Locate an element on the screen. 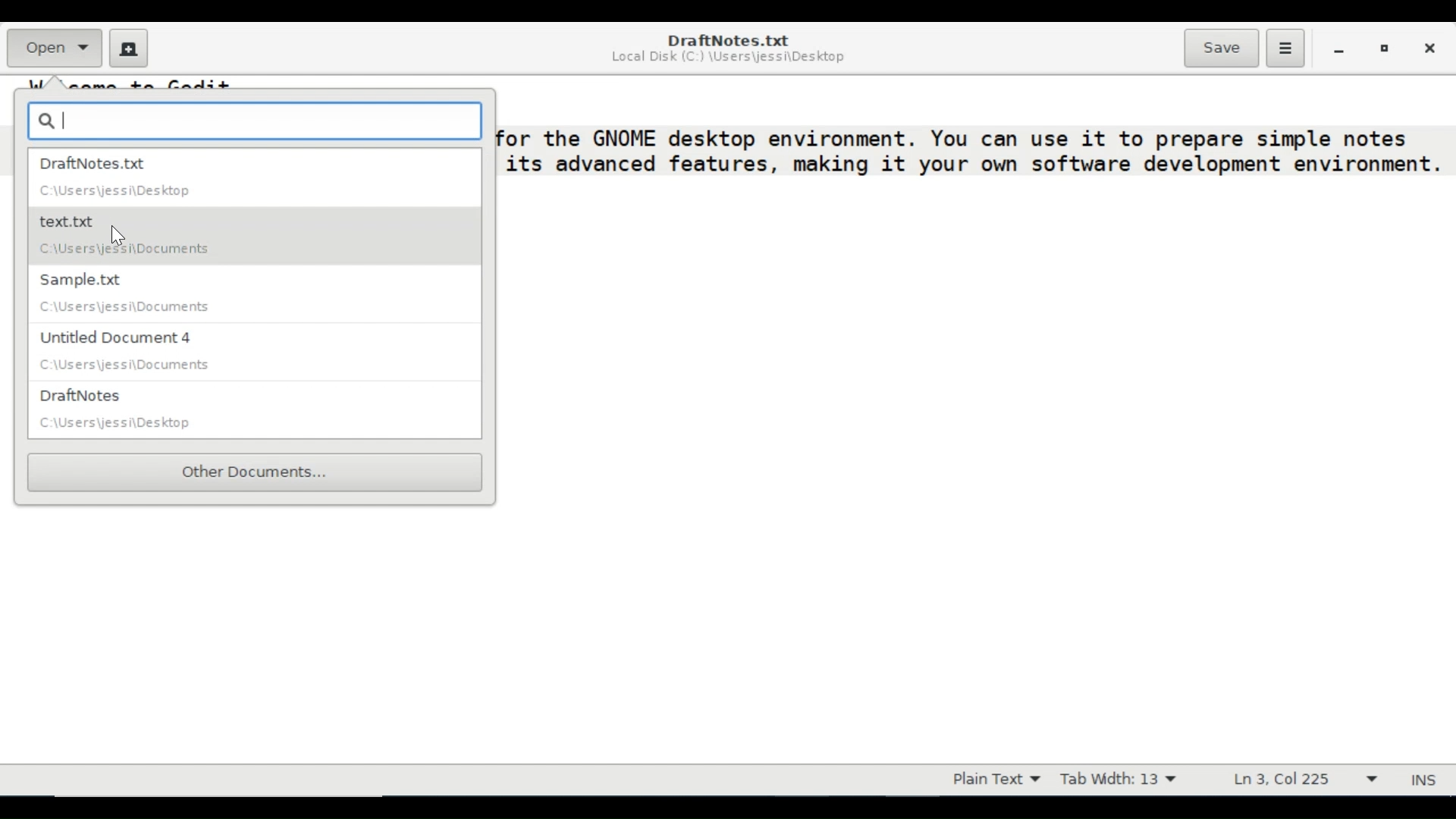 This screenshot has height=819, width=1456. Other Documents is located at coordinates (256, 472).